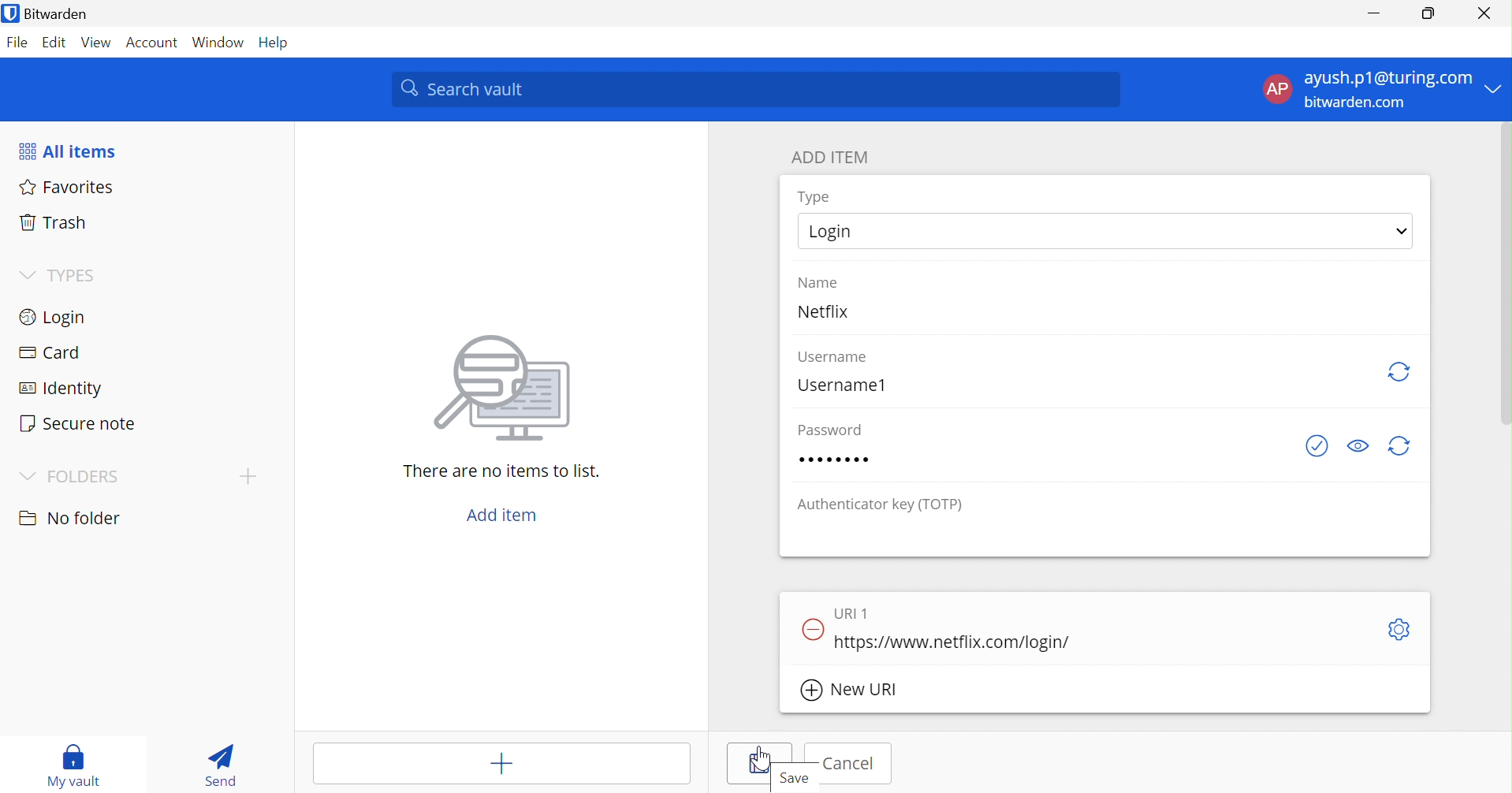  Describe the element at coordinates (18, 43) in the screenshot. I see `File` at that location.